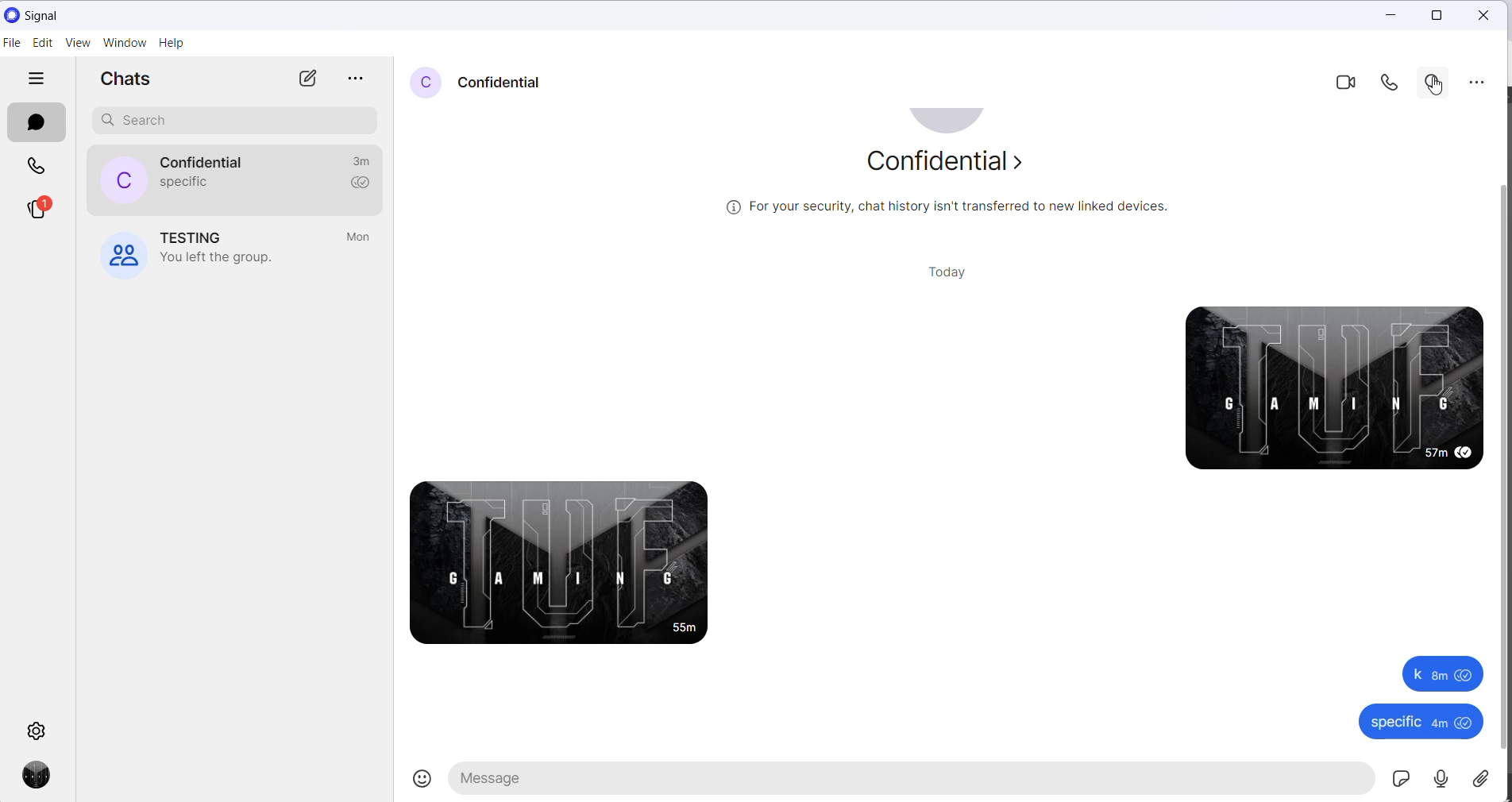 This screenshot has height=802, width=1512. Describe the element at coordinates (949, 271) in the screenshot. I see `today heading` at that location.